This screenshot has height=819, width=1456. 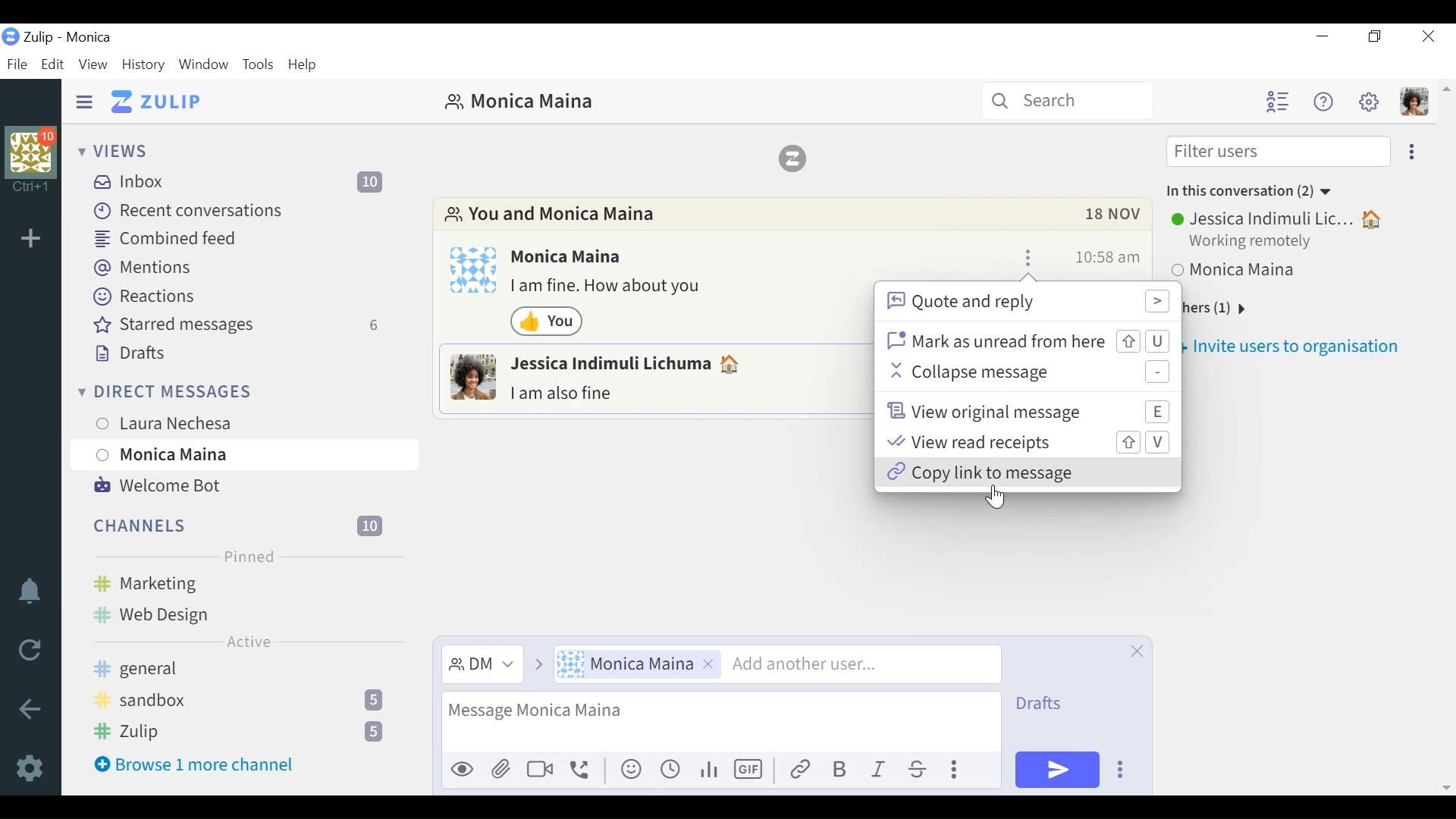 I want to click on Zulip logo, so click(x=797, y=158).